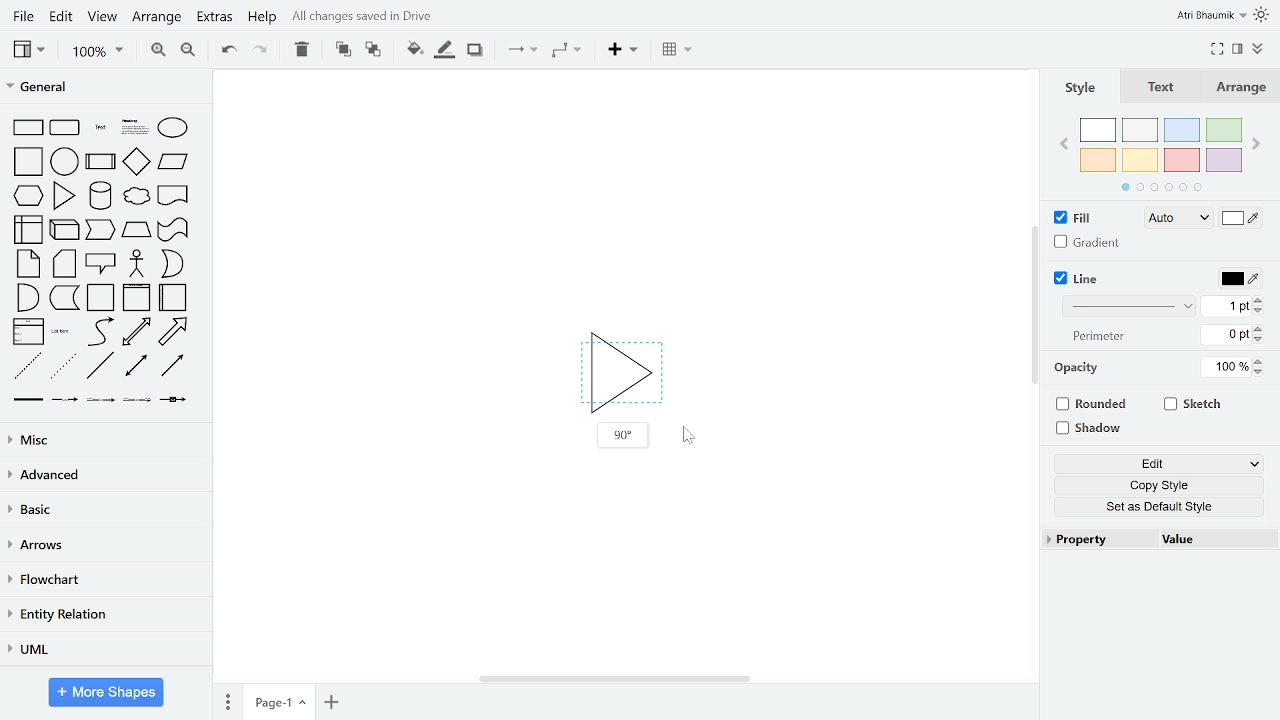 This screenshot has width=1280, height=720. What do you see at coordinates (27, 367) in the screenshot?
I see `dashed line` at bounding box center [27, 367].